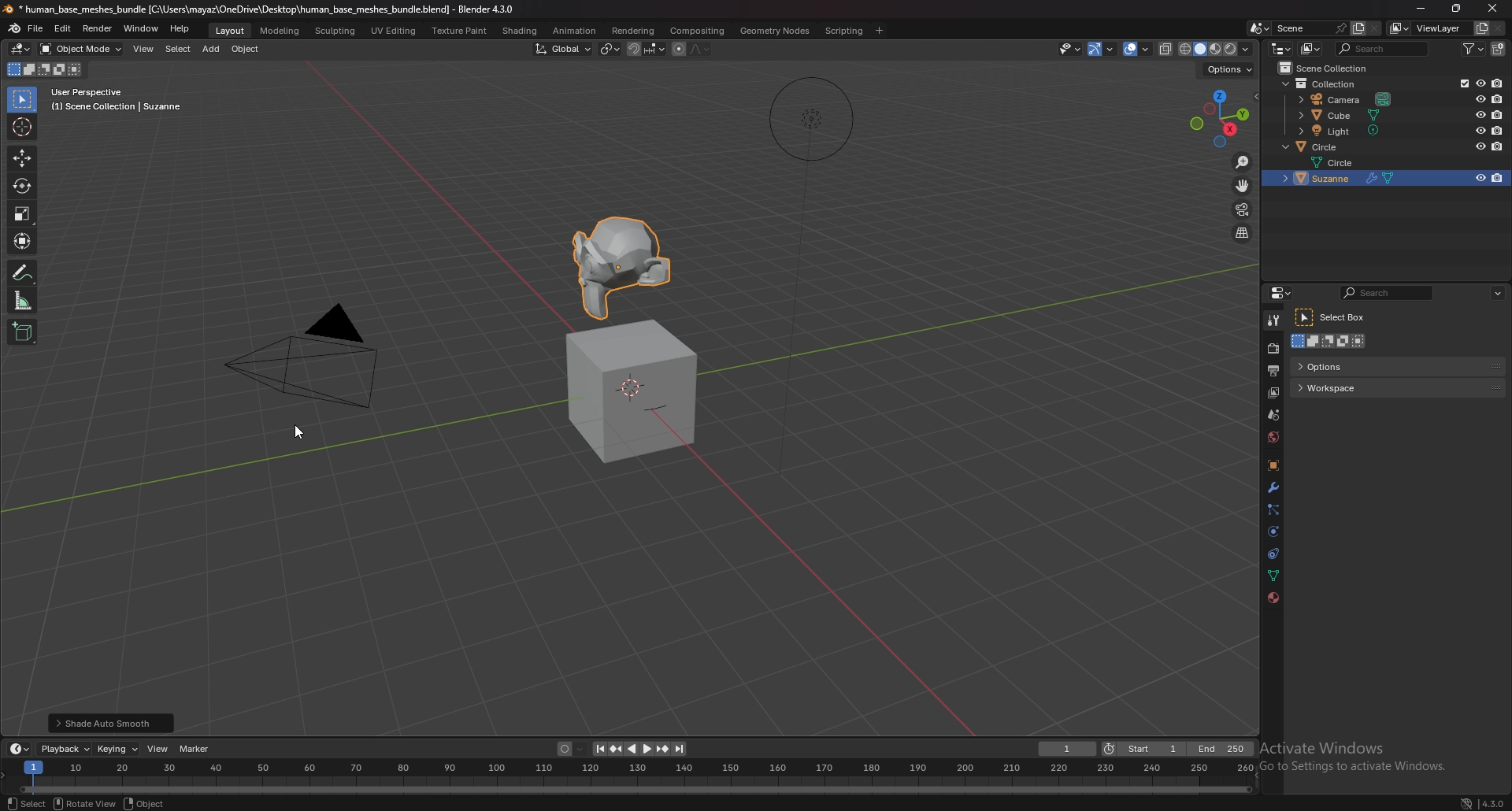  What do you see at coordinates (1280, 47) in the screenshot?
I see `editor type` at bounding box center [1280, 47].